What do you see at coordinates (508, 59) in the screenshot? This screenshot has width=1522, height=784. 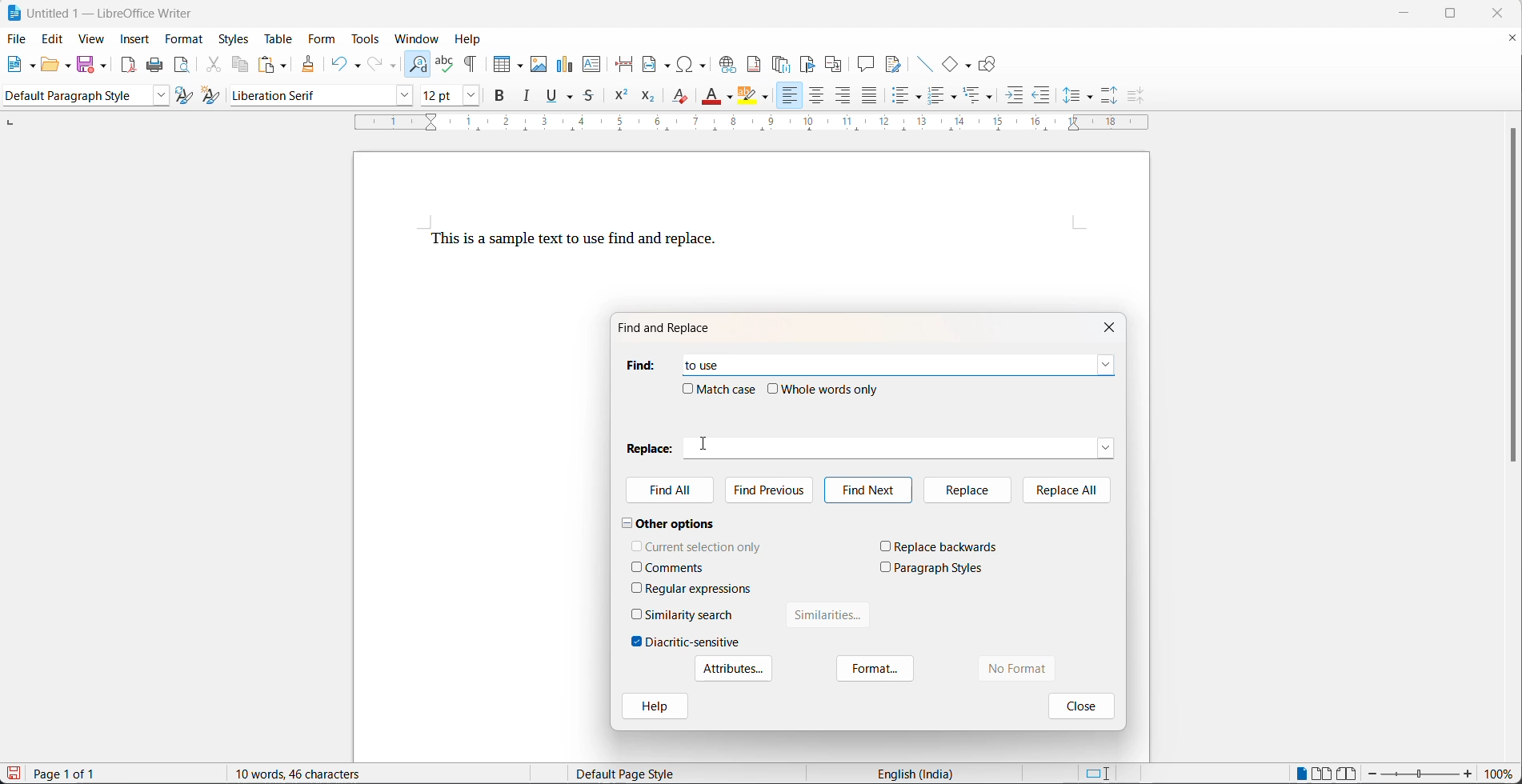 I see `insert table` at bounding box center [508, 59].